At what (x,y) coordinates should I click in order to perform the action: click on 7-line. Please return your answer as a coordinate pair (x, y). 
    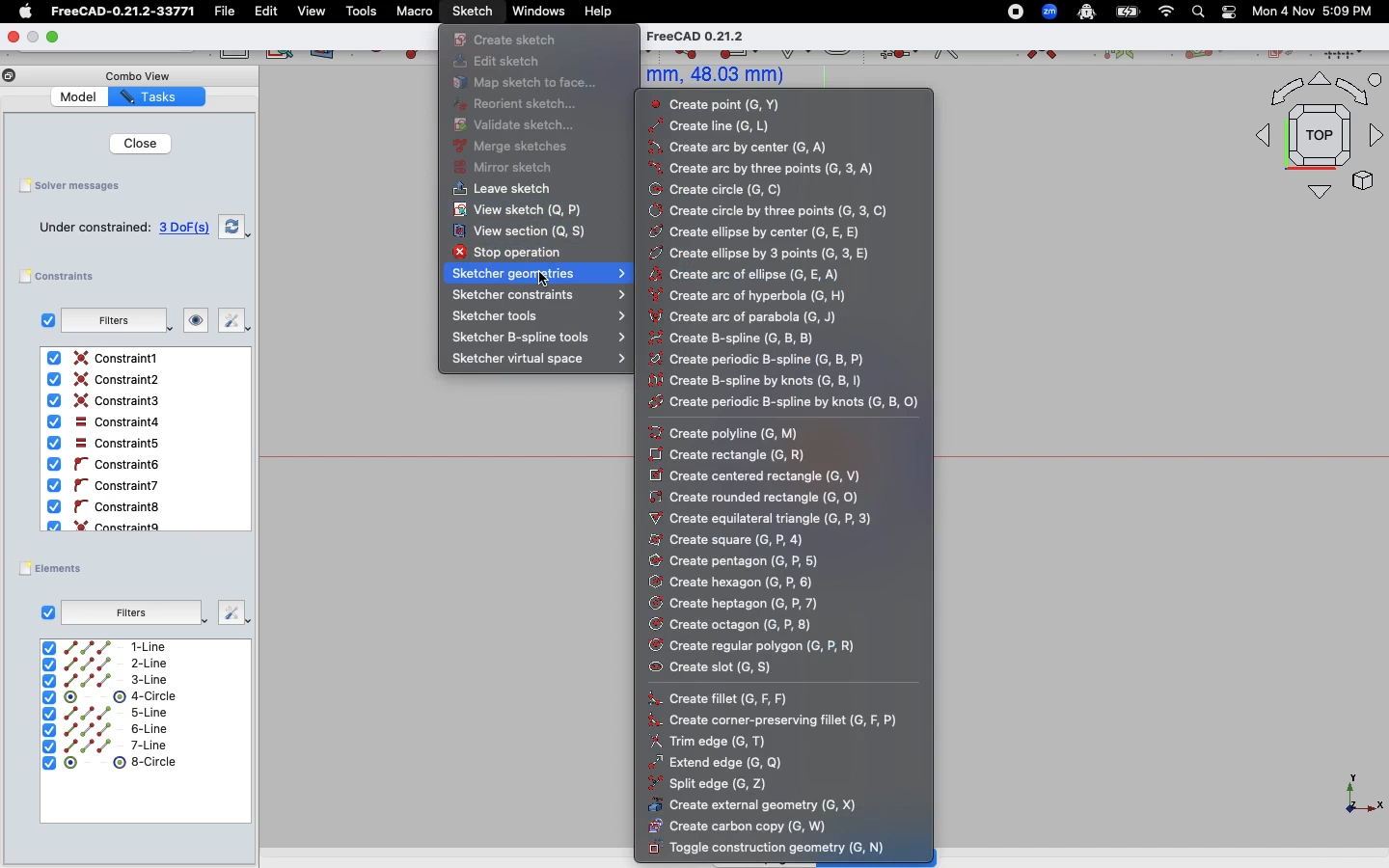
    Looking at the image, I should click on (106, 746).